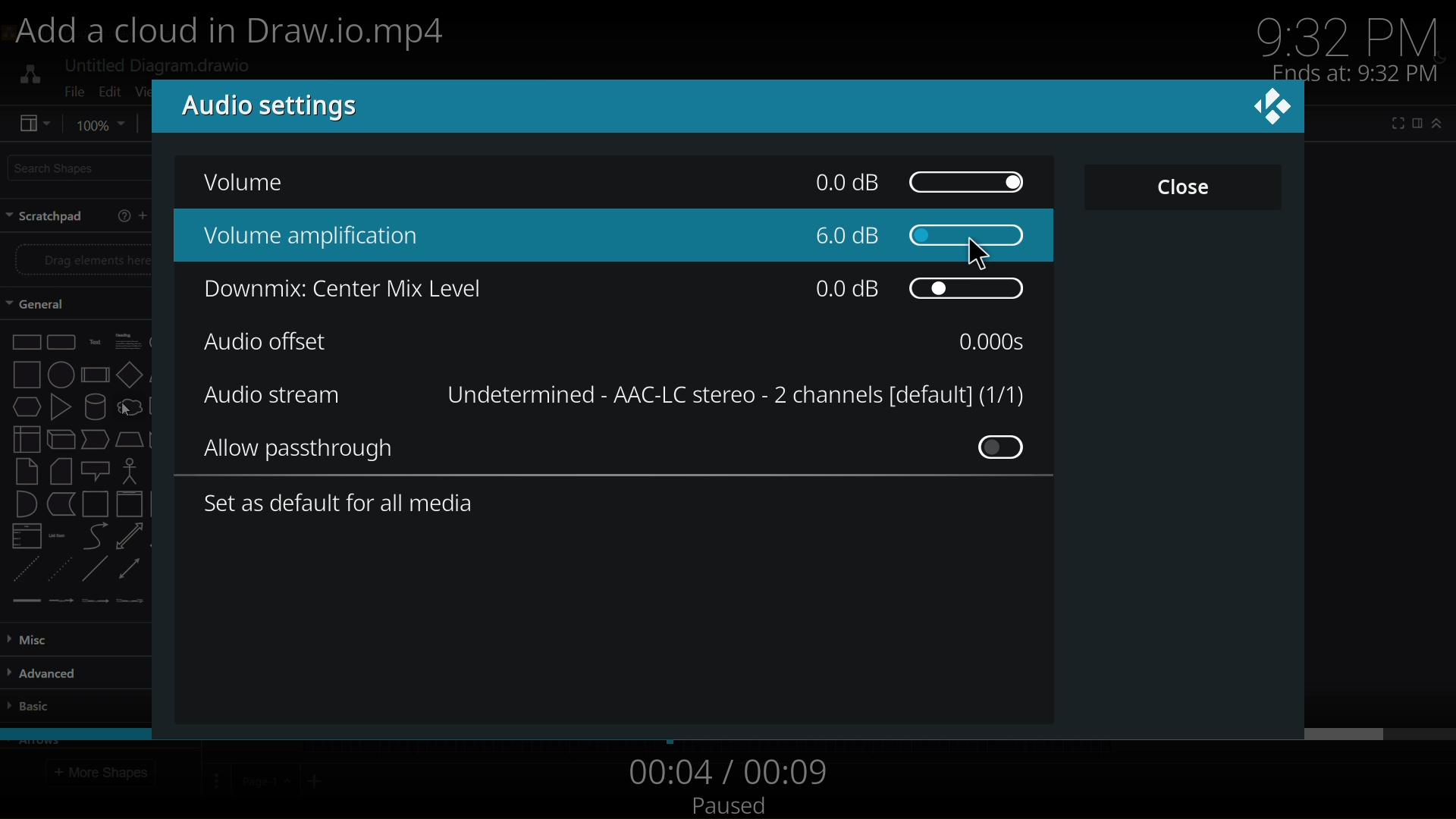  Describe the element at coordinates (254, 107) in the screenshot. I see `audio setting` at that location.